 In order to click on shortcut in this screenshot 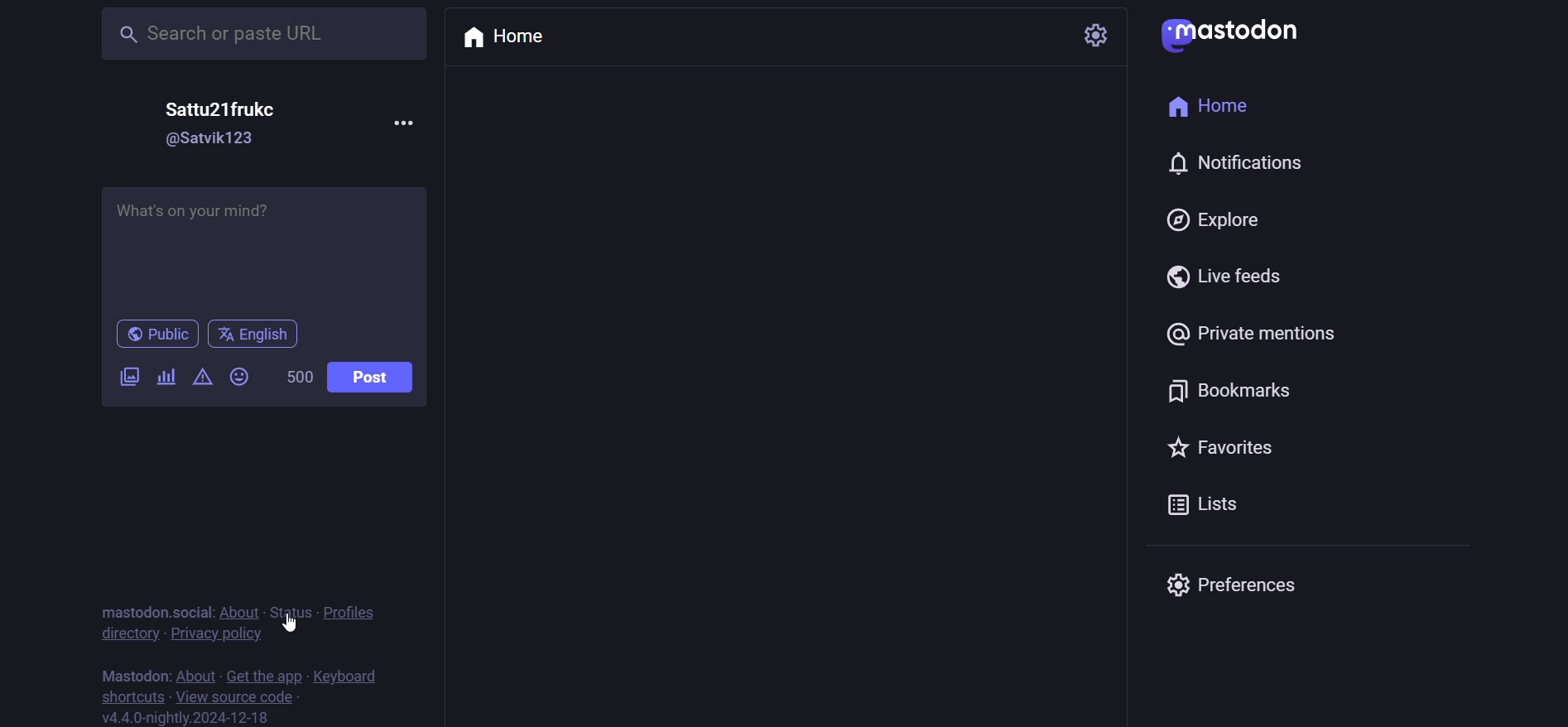, I will do `click(127, 695)`.